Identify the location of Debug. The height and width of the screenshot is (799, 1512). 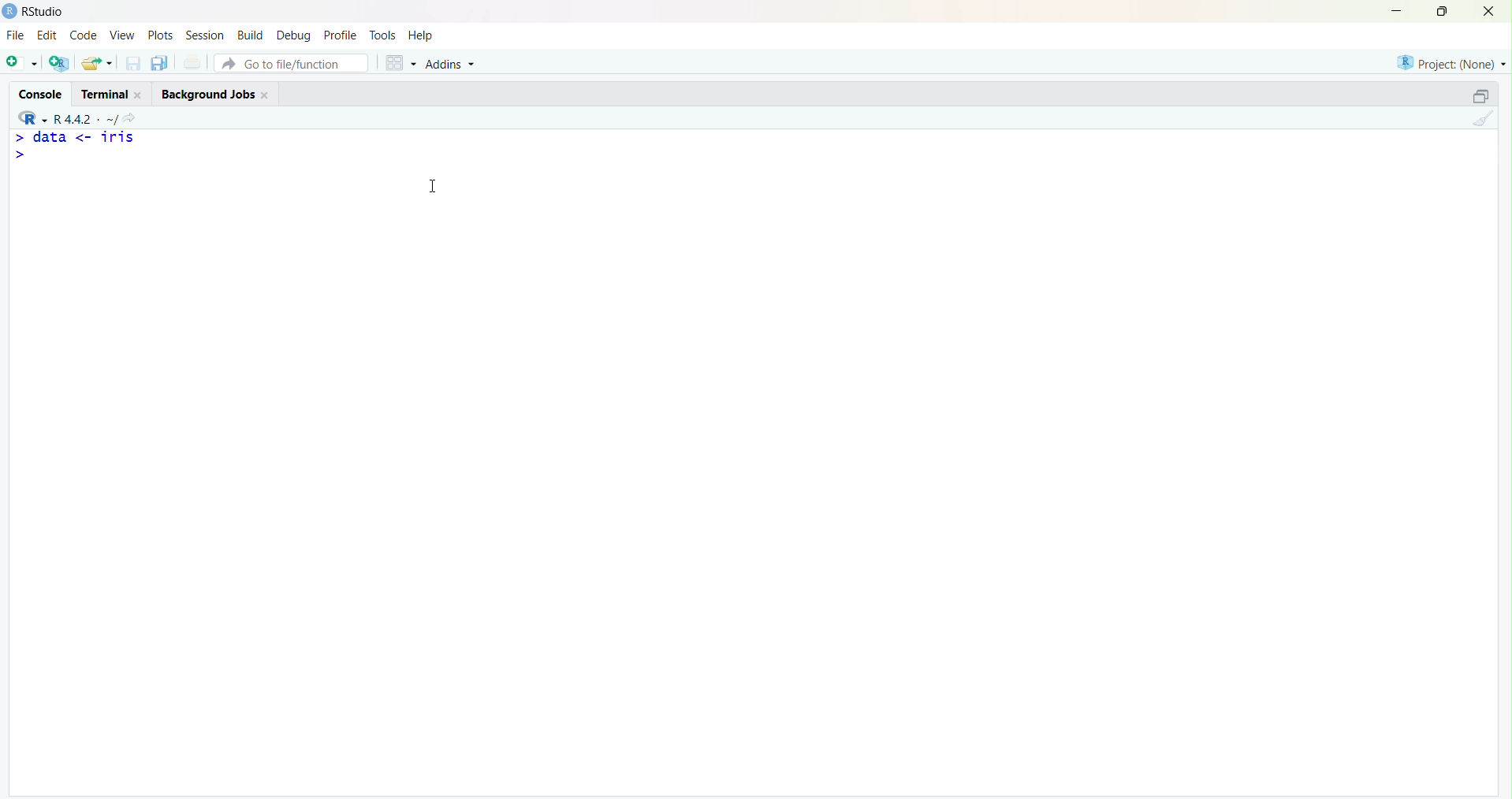
(295, 34).